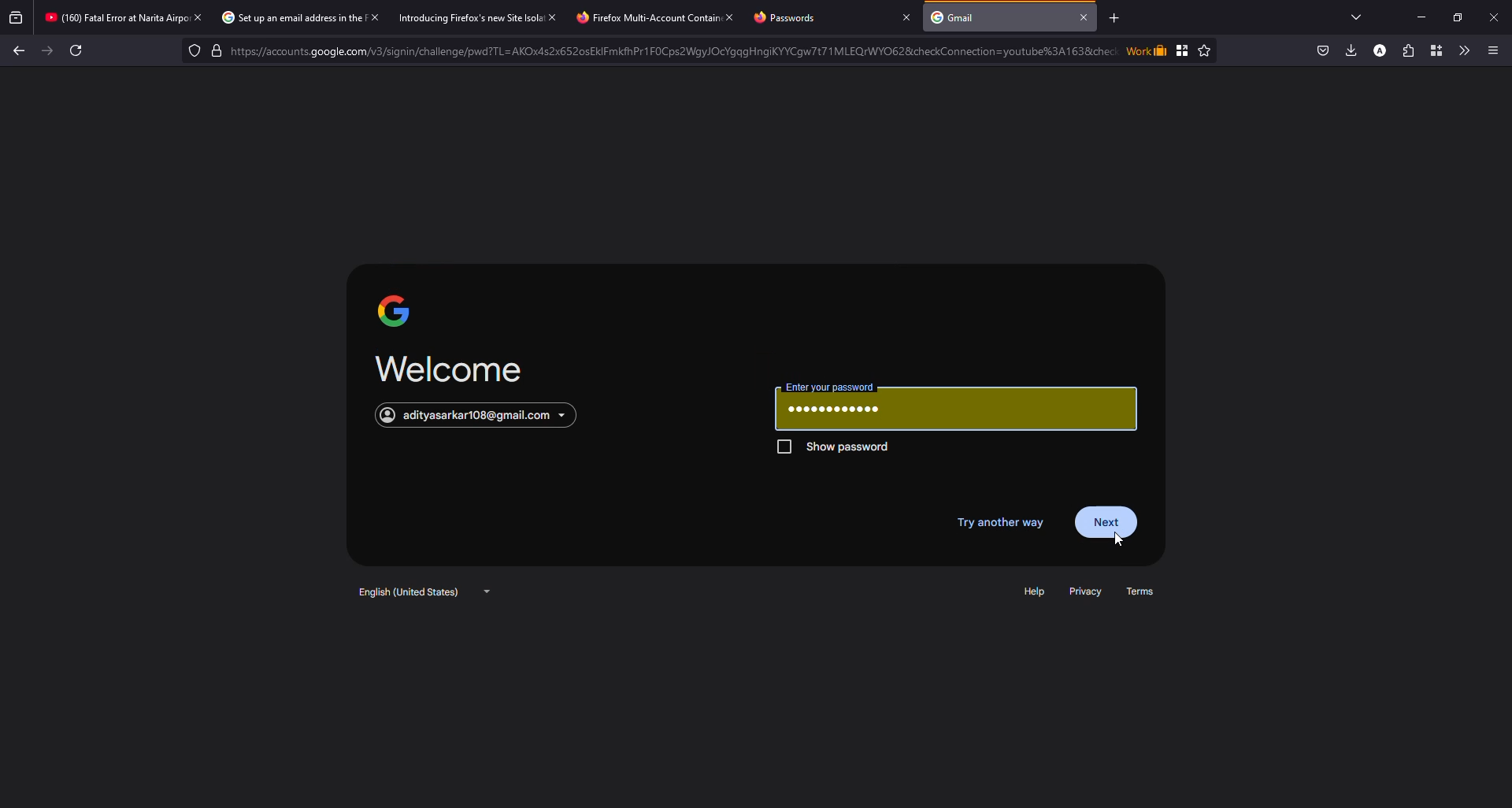 The height and width of the screenshot is (808, 1512). I want to click on view recent, so click(15, 16).